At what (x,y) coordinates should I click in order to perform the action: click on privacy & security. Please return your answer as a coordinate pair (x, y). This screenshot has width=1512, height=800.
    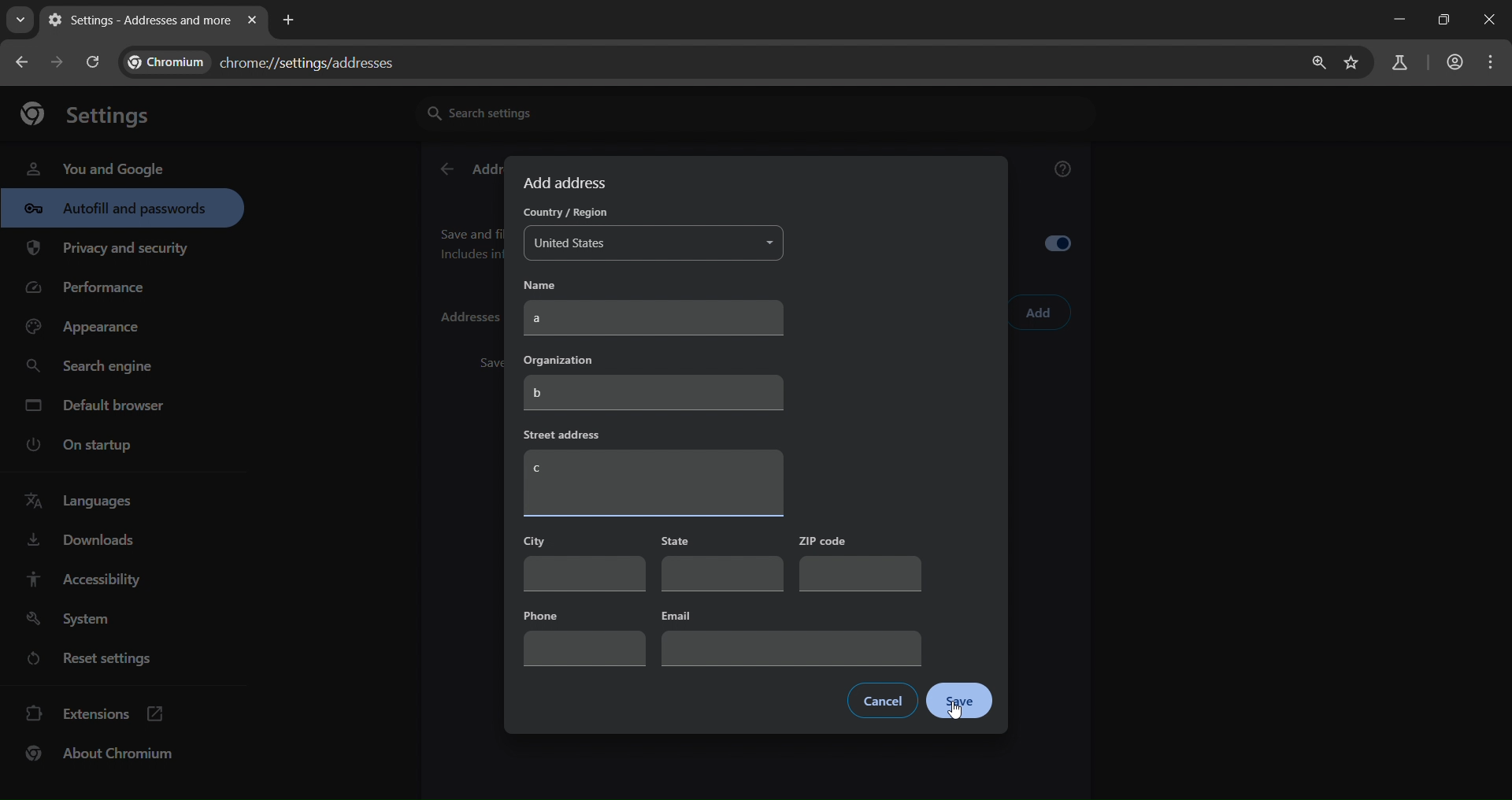
    Looking at the image, I should click on (108, 251).